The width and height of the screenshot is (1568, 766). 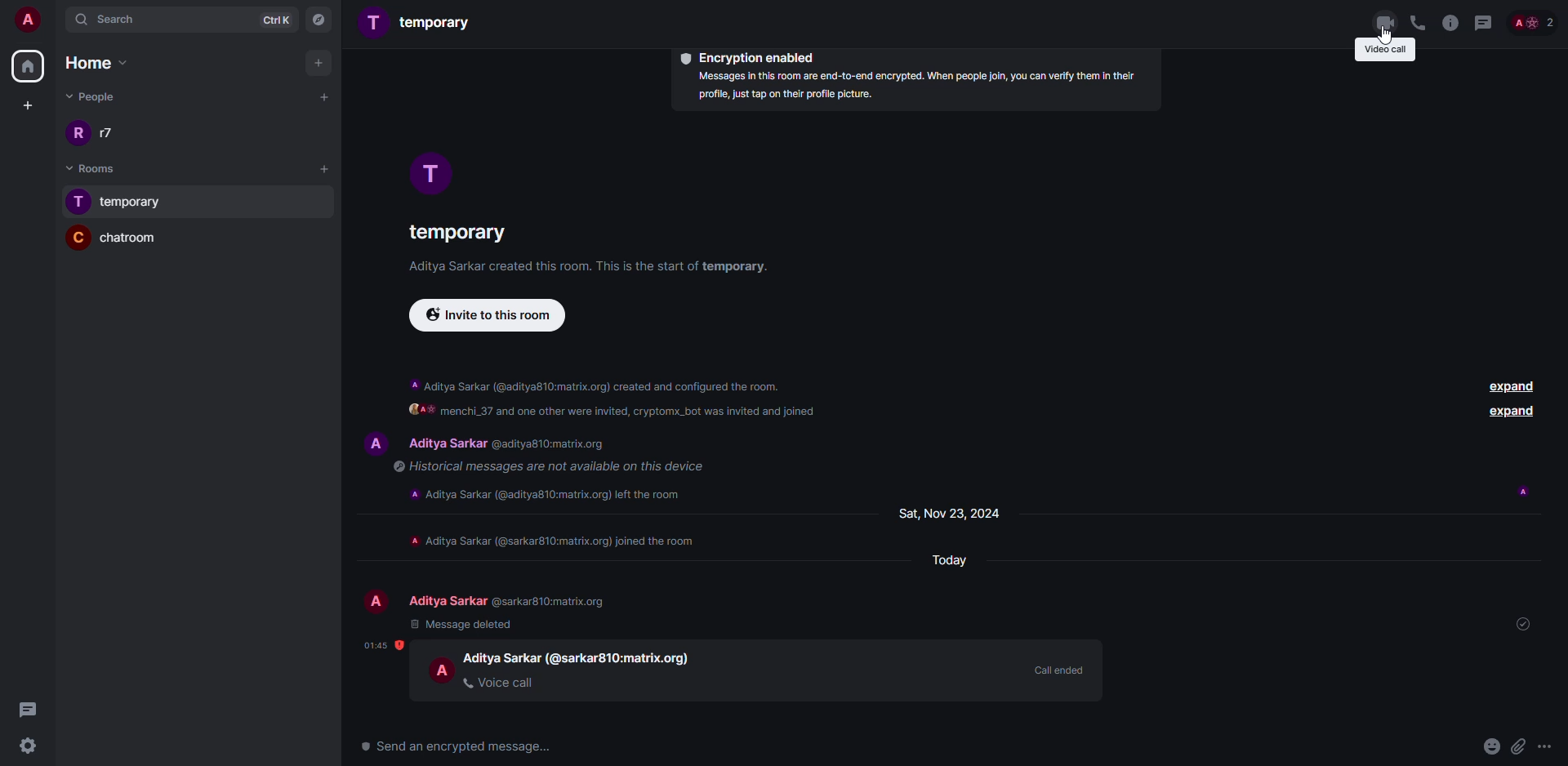 I want to click on voice call, so click(x=1417, y=23).